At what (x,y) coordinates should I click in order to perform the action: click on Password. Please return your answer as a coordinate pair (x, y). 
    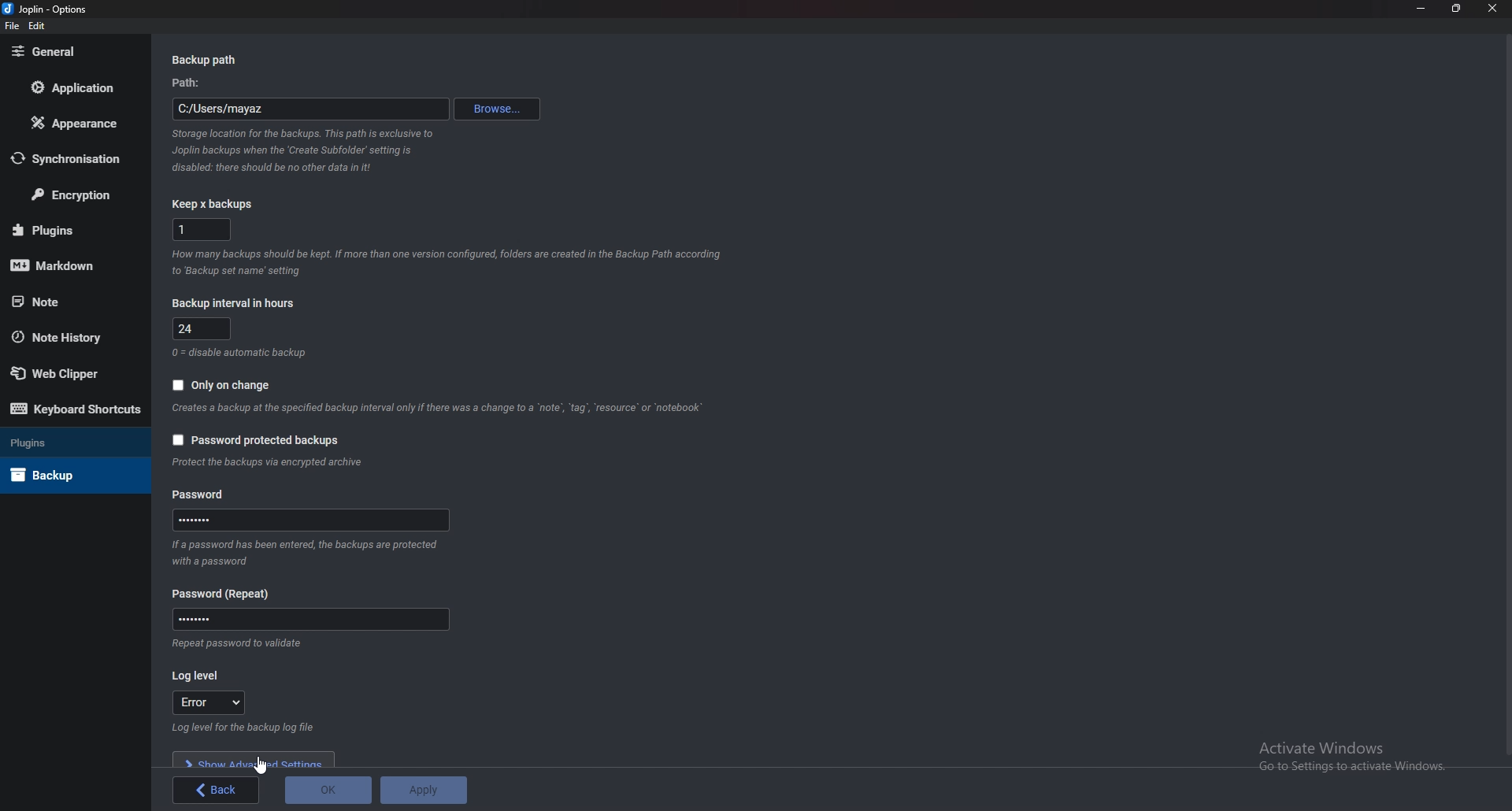
    Looking at the image, I should click on (226, 594).